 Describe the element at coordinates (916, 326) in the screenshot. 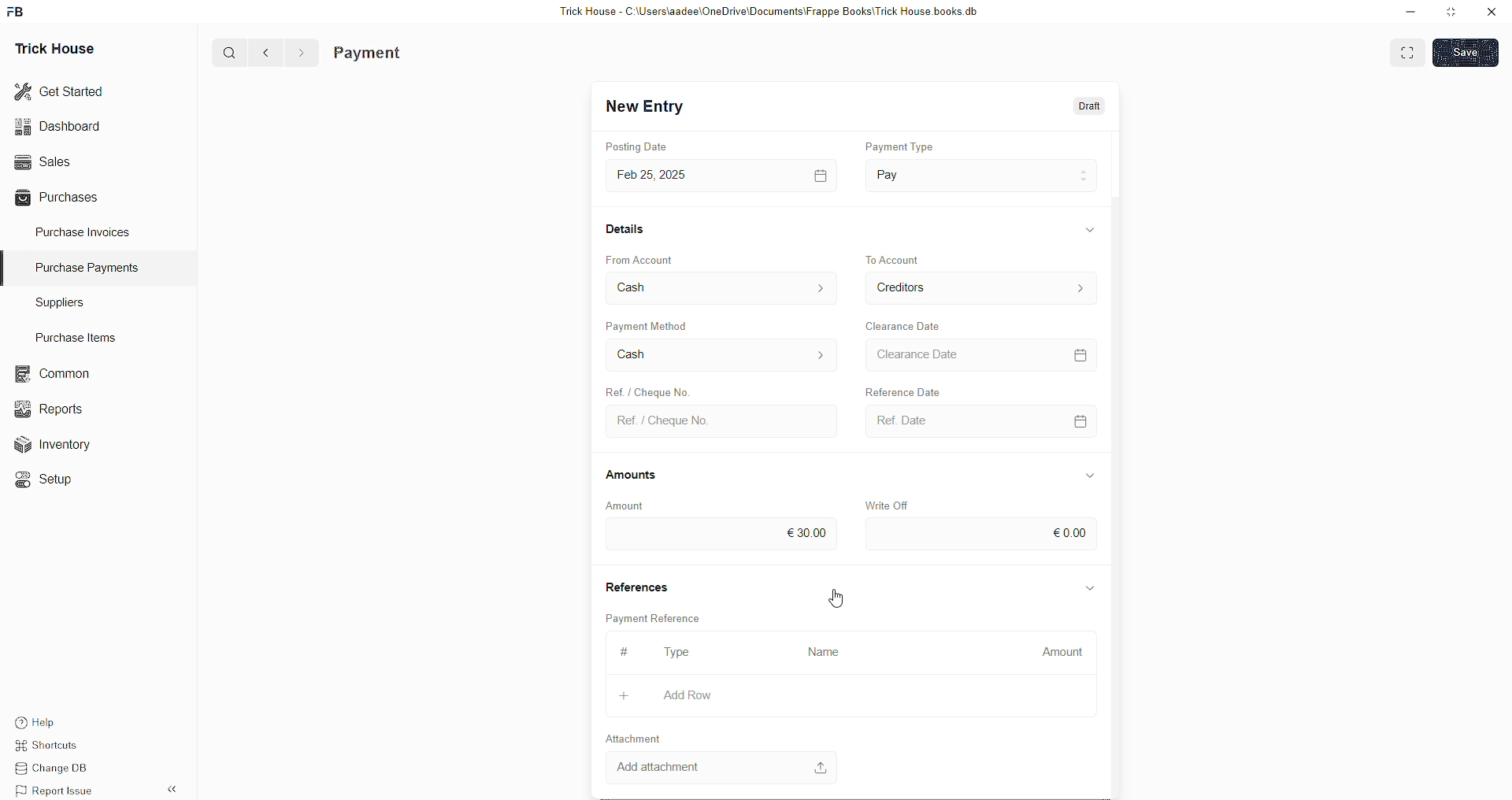

I see `Clearance Date` at that location.